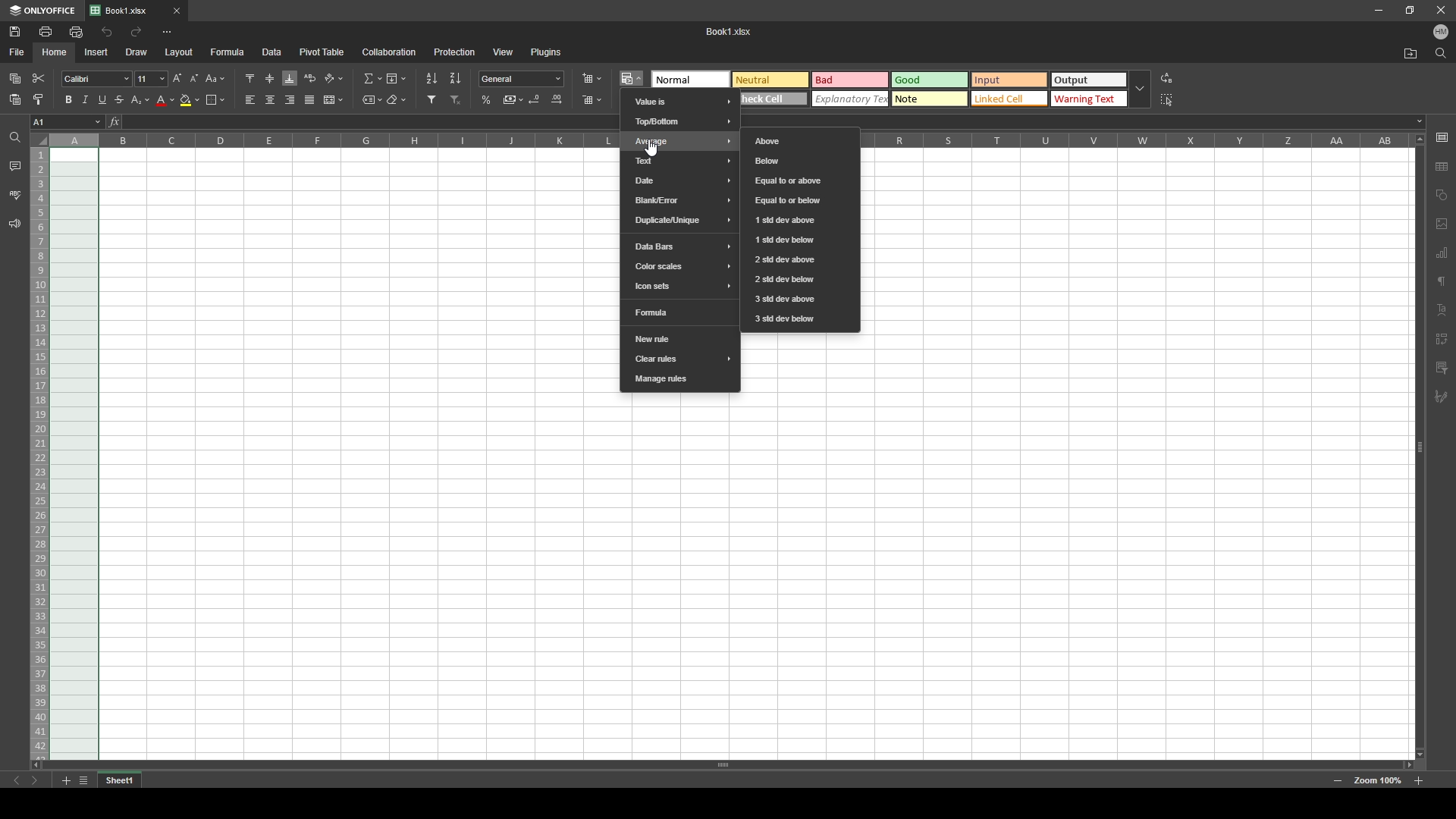 The height and width of the screenshot is (819, 1456). What do you see at coordinates (179, 52) in the screenshot?
I see `layout` at bounding box center [179, 52].